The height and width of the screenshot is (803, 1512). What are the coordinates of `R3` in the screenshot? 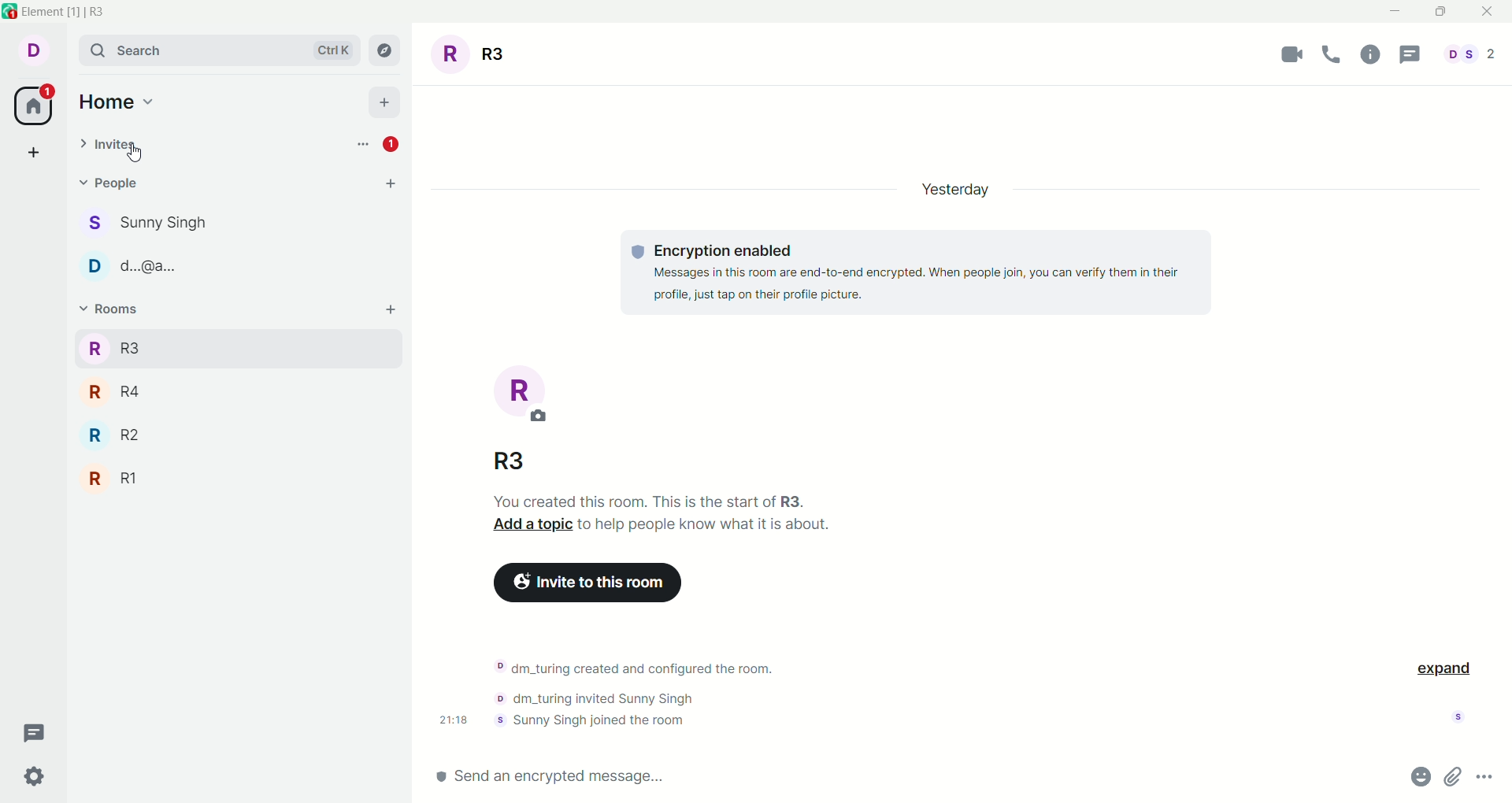 It's located at (510, 461).